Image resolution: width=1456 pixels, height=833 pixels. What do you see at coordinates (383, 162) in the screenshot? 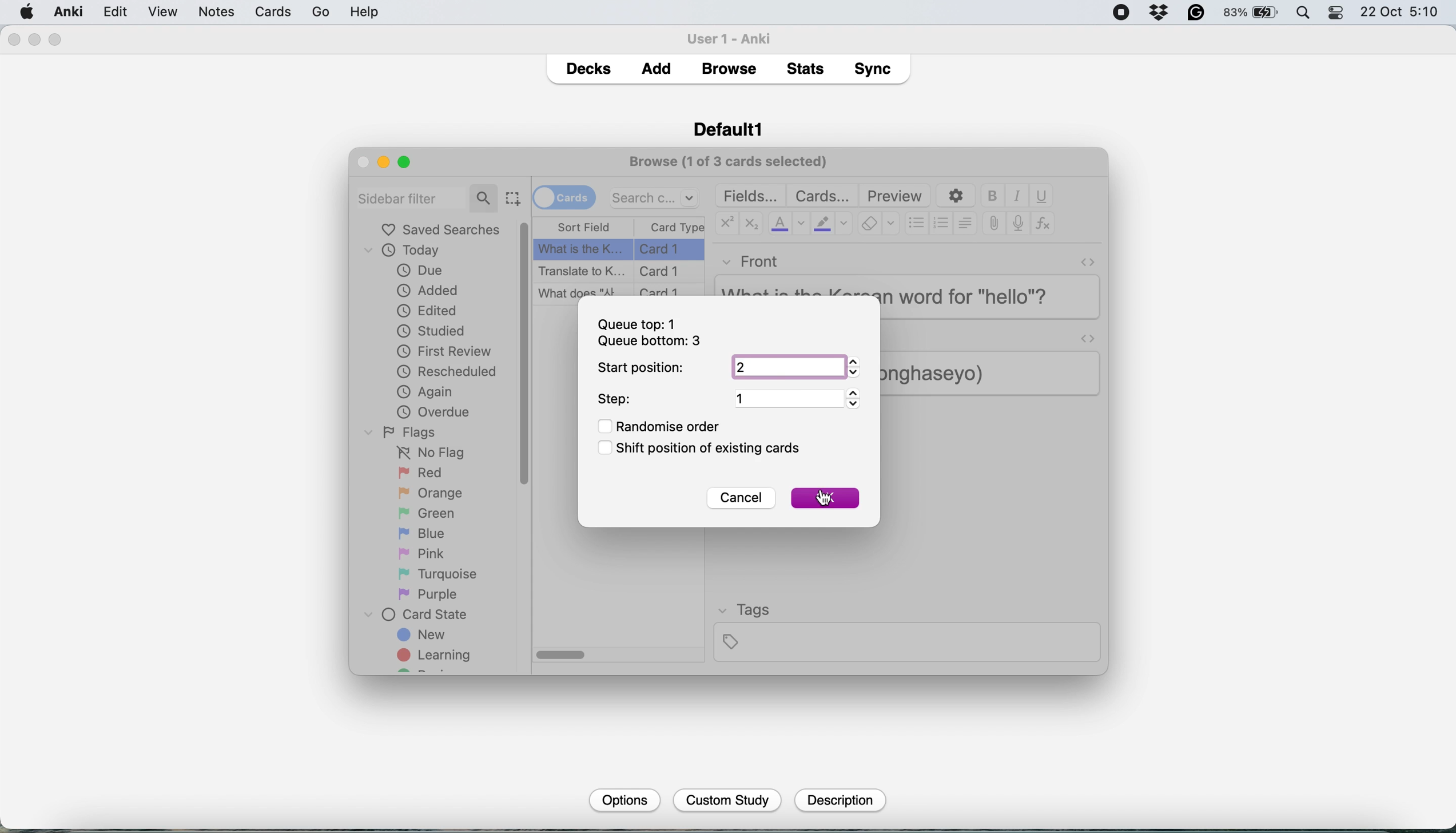
I see `minimise` at bounding box center [383, 162].